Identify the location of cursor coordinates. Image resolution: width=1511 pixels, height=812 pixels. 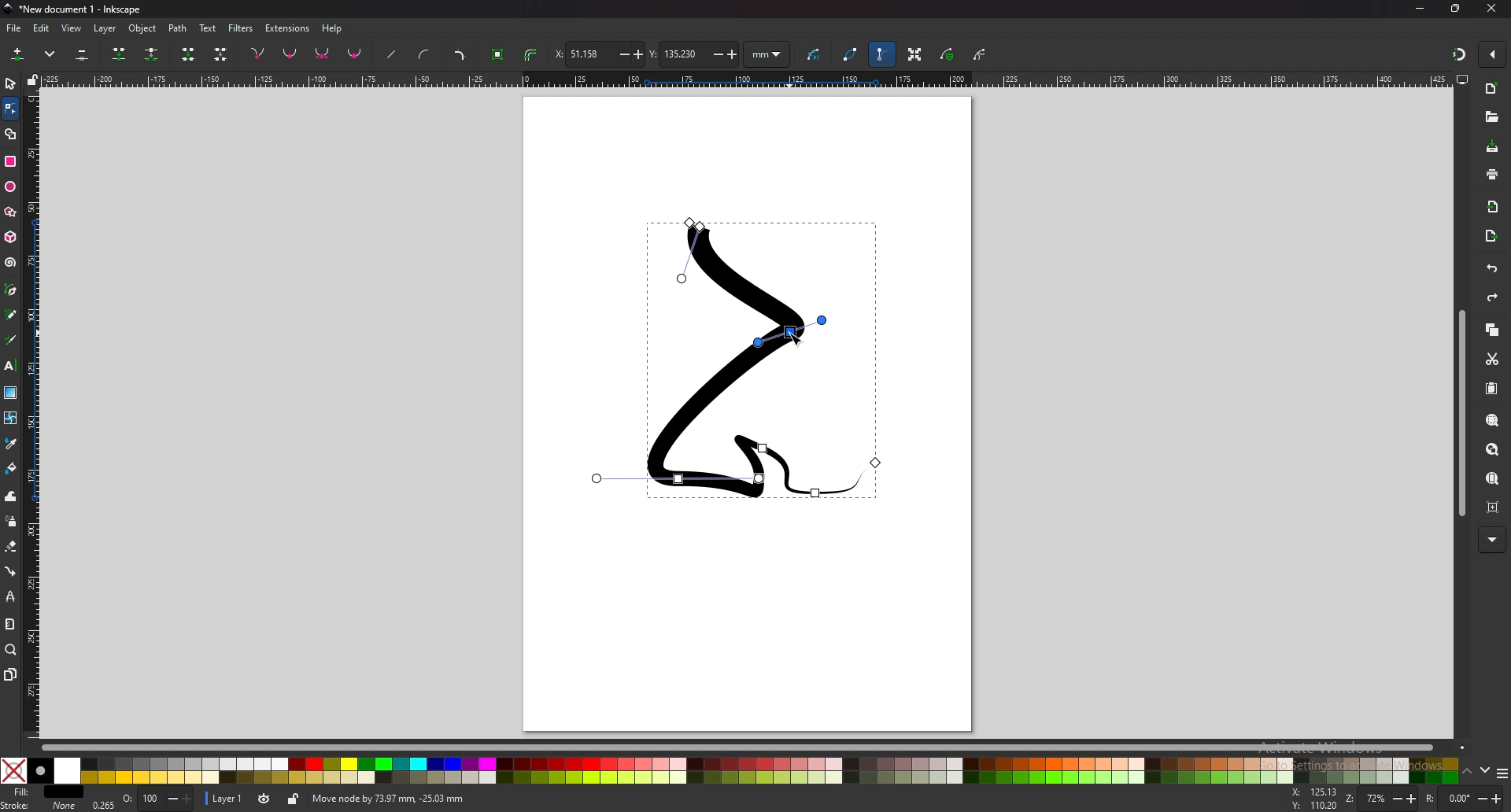
(1317, 799).